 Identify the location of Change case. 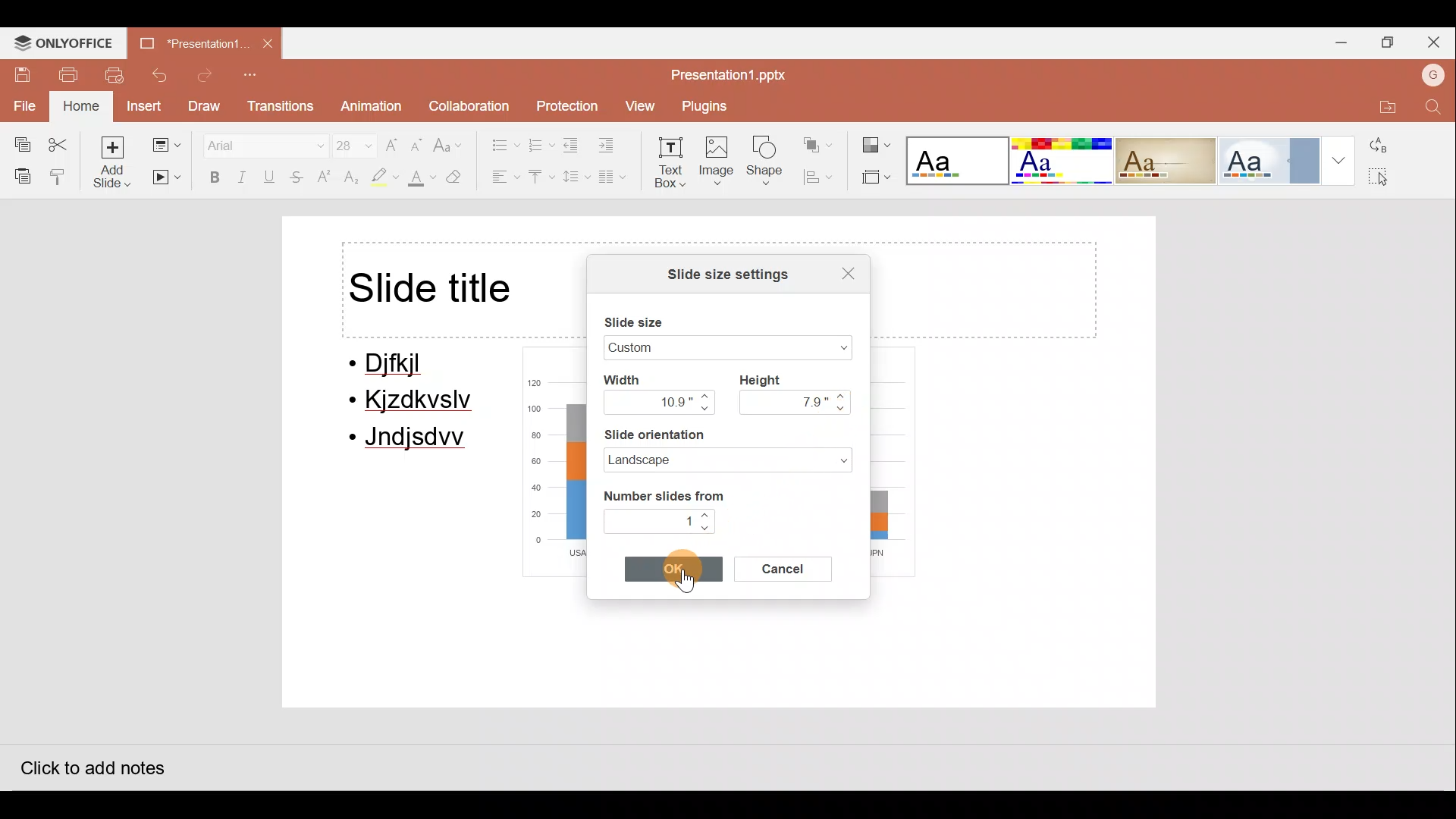
(451, 139).